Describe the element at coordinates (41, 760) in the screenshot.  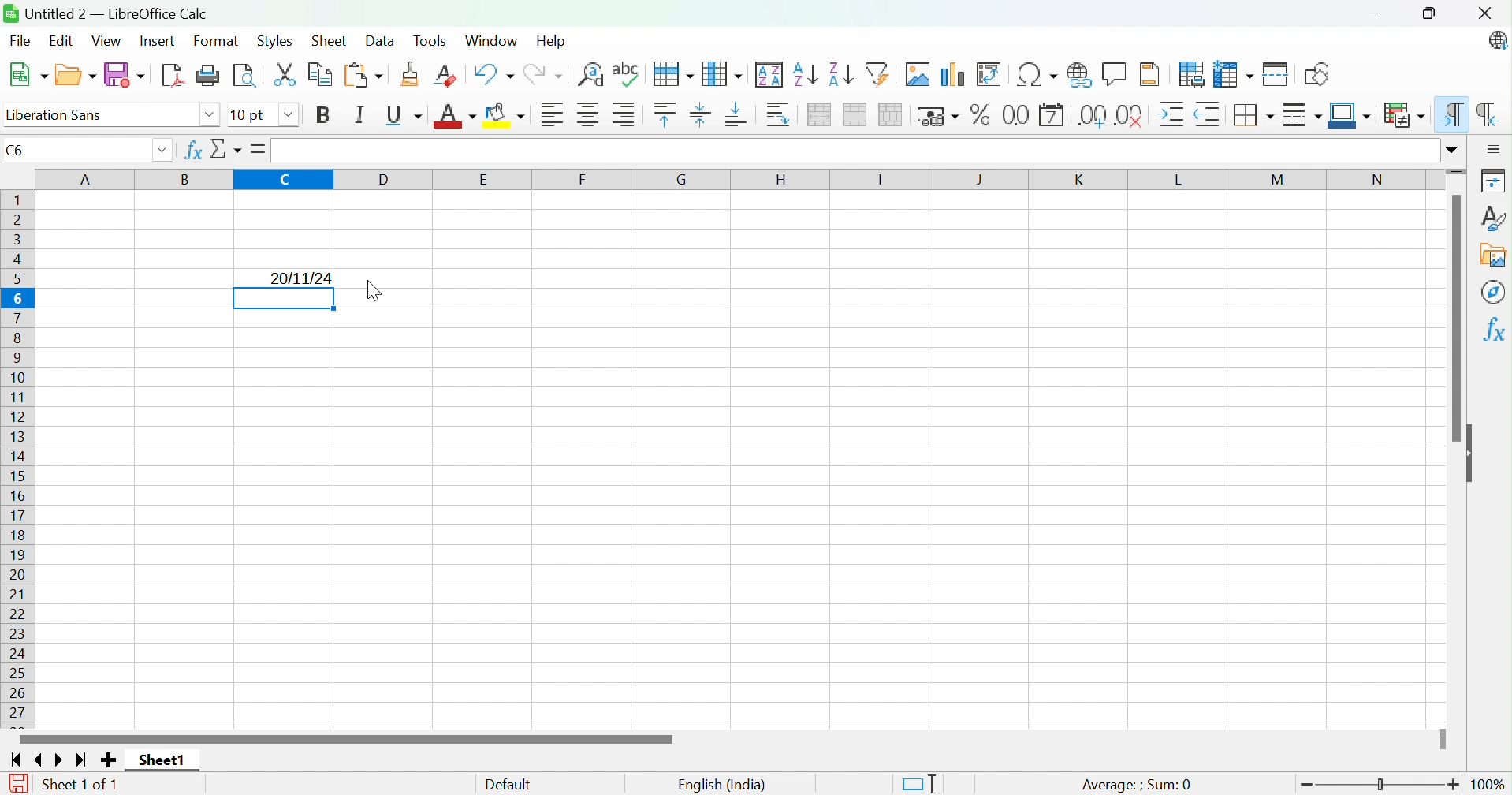
I see `Scroll to previous sheet` at that location.